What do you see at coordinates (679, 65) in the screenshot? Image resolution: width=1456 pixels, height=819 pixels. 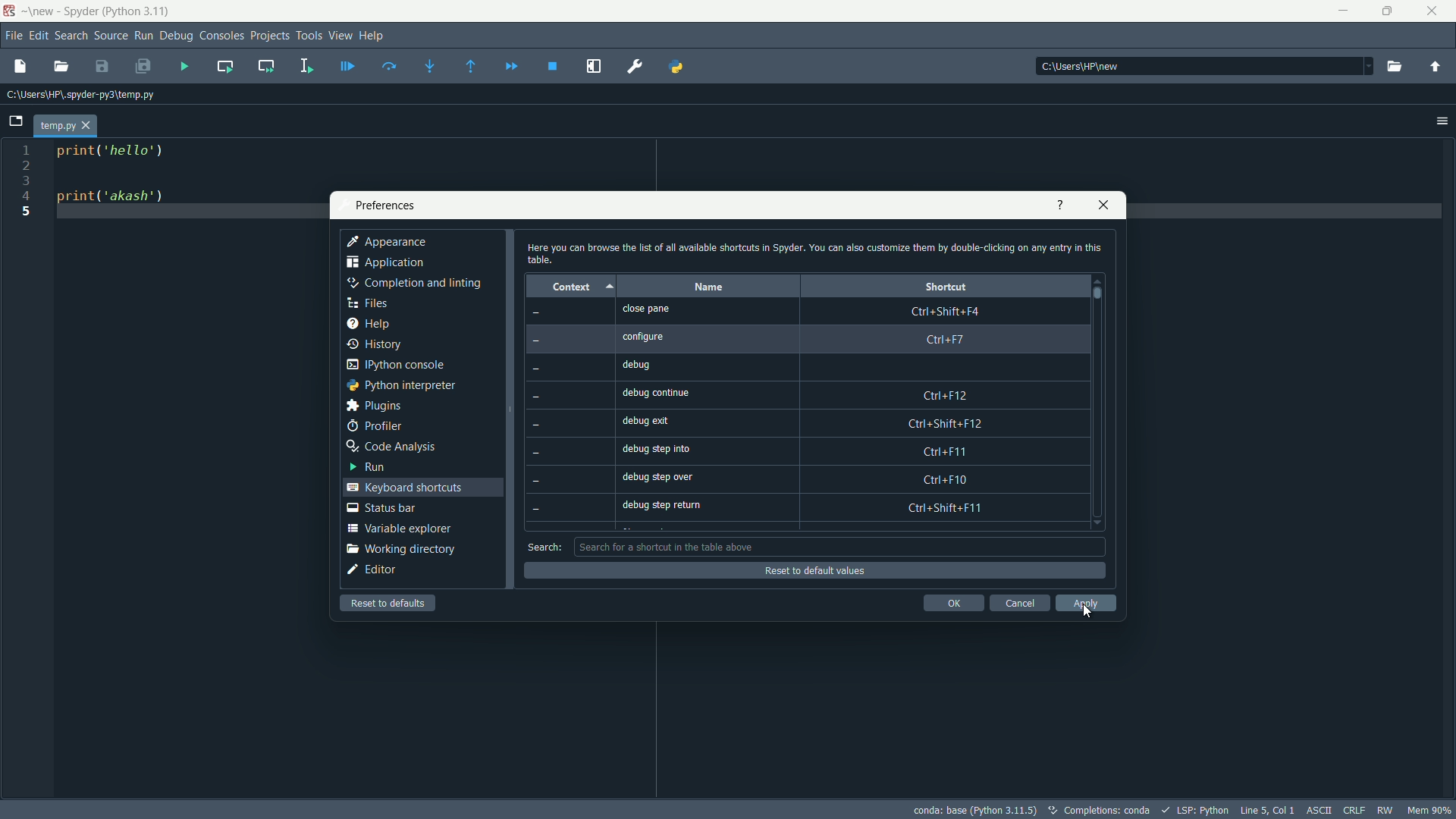 I see `python path manager` at bounding box center [679, 65].